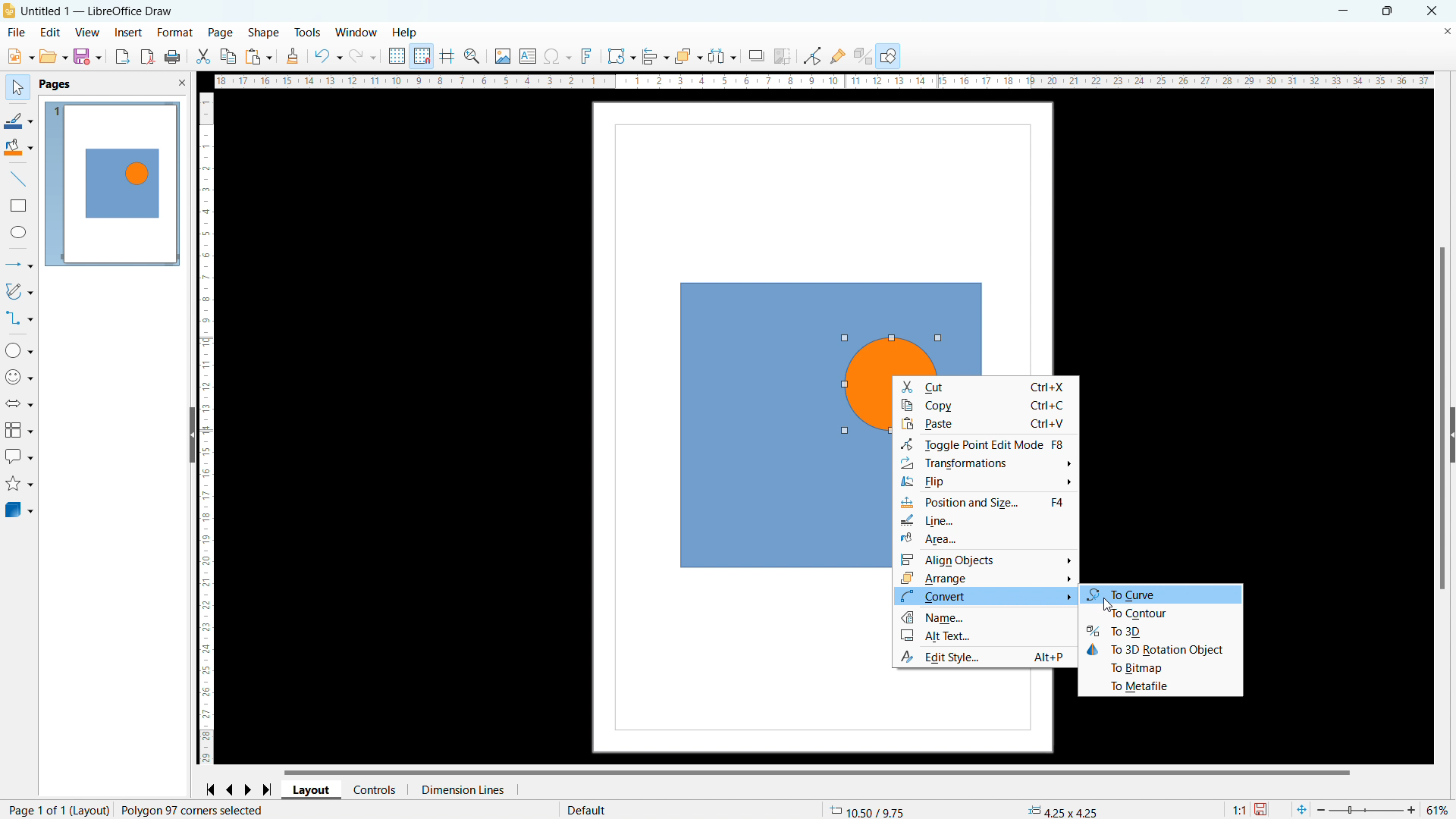 The width and height of the screenshot is (1456, 819). Describe the element at coordinates (985, 596) in the screenshot. I see `convert options` at that location.